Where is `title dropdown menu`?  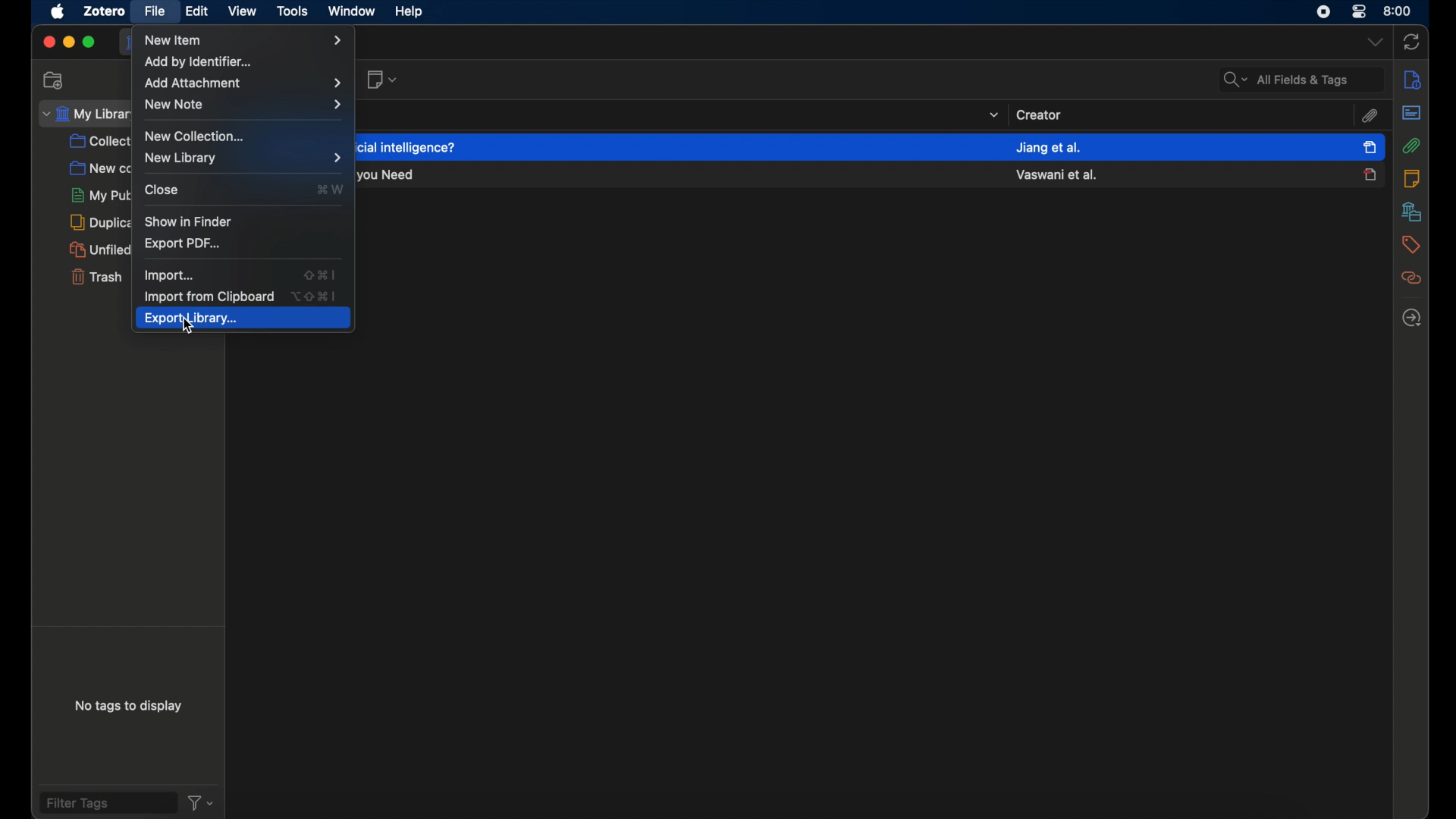
title dropdown menu is located at coordinates (992, 115).